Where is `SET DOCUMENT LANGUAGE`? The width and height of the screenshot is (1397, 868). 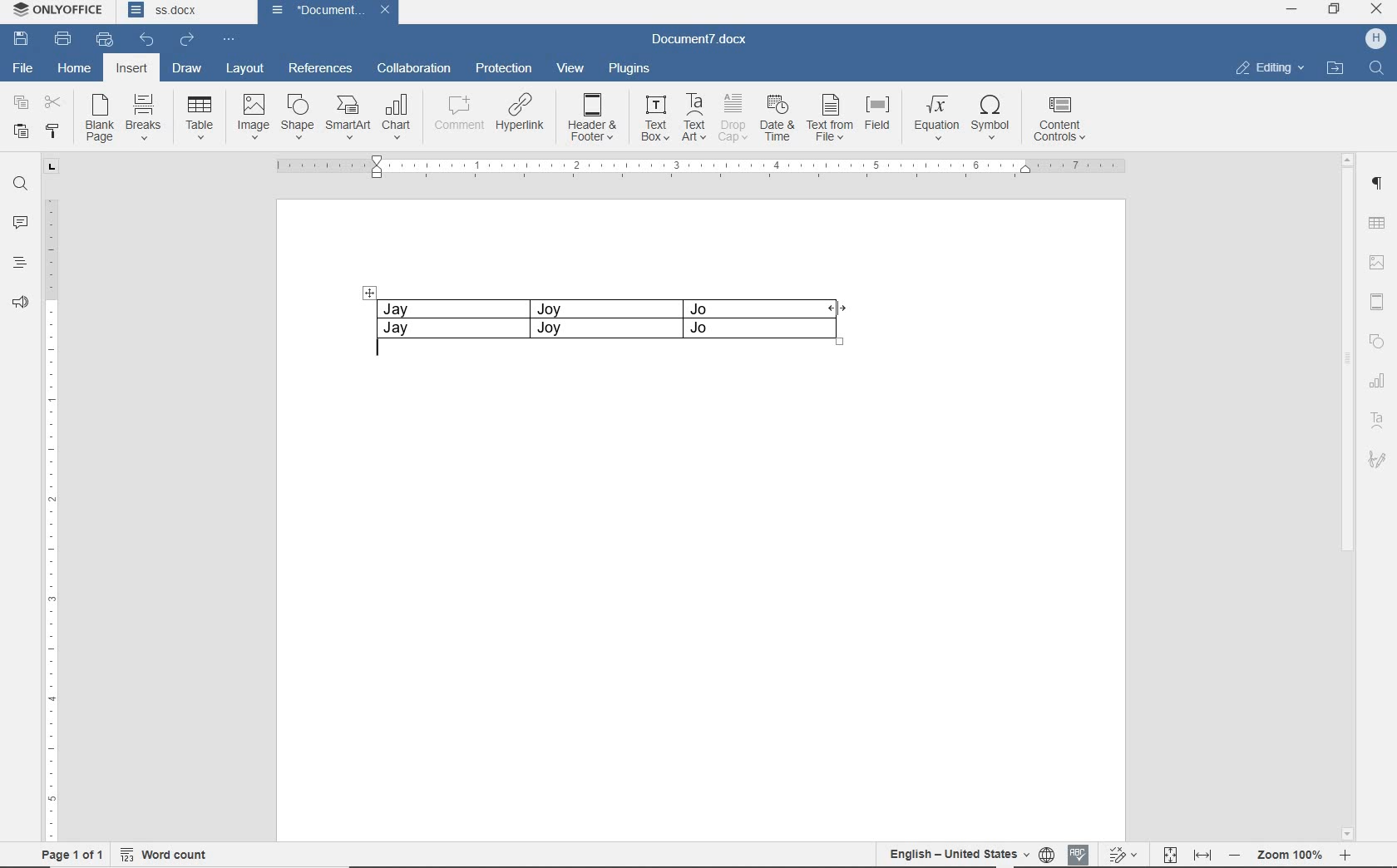
SET DOCUMENT LANGUAGE is located at coordinates (1049, 852).